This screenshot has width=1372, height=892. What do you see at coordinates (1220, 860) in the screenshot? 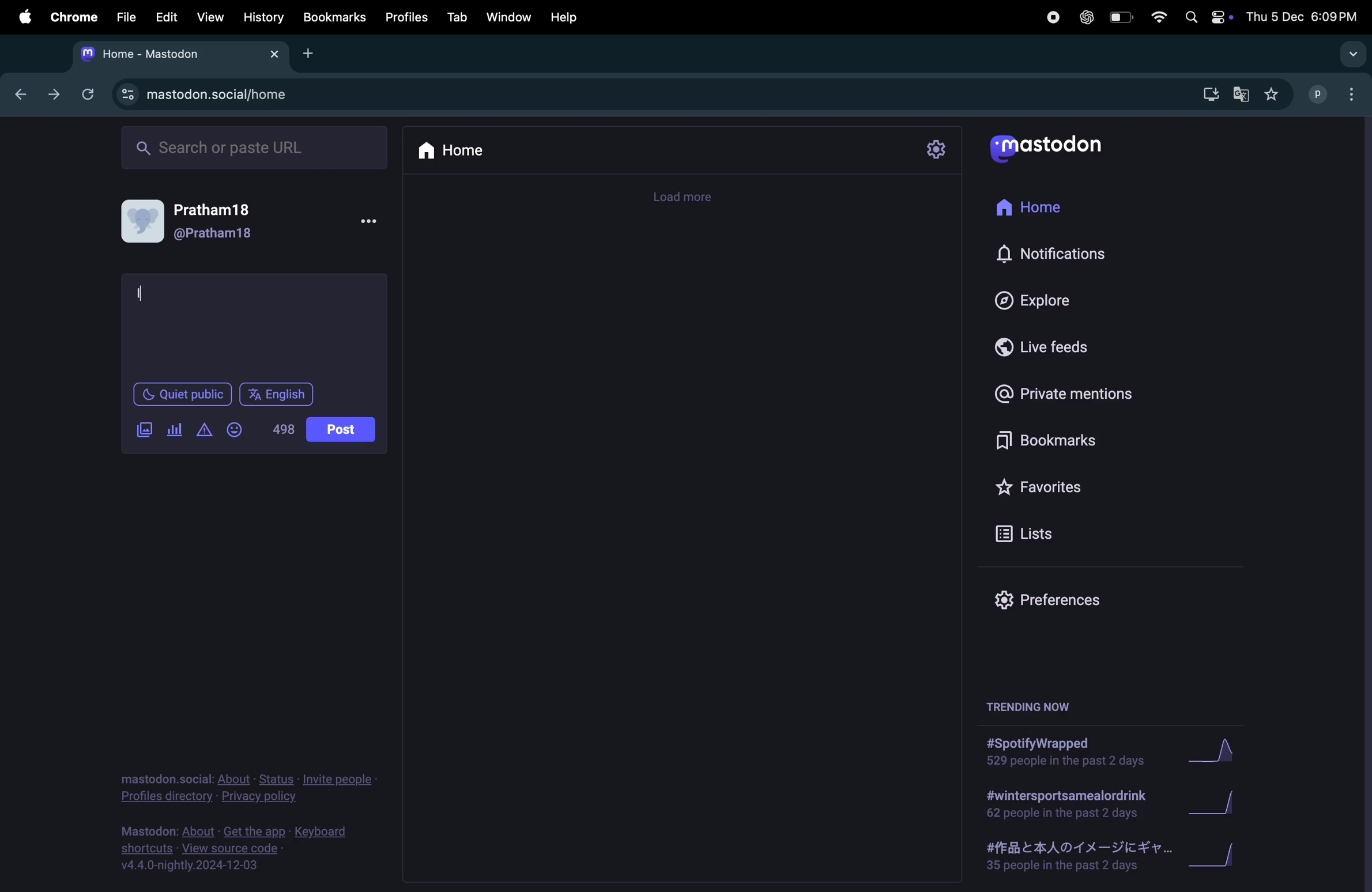
I see `graph` at bounding box center [1220, 860].